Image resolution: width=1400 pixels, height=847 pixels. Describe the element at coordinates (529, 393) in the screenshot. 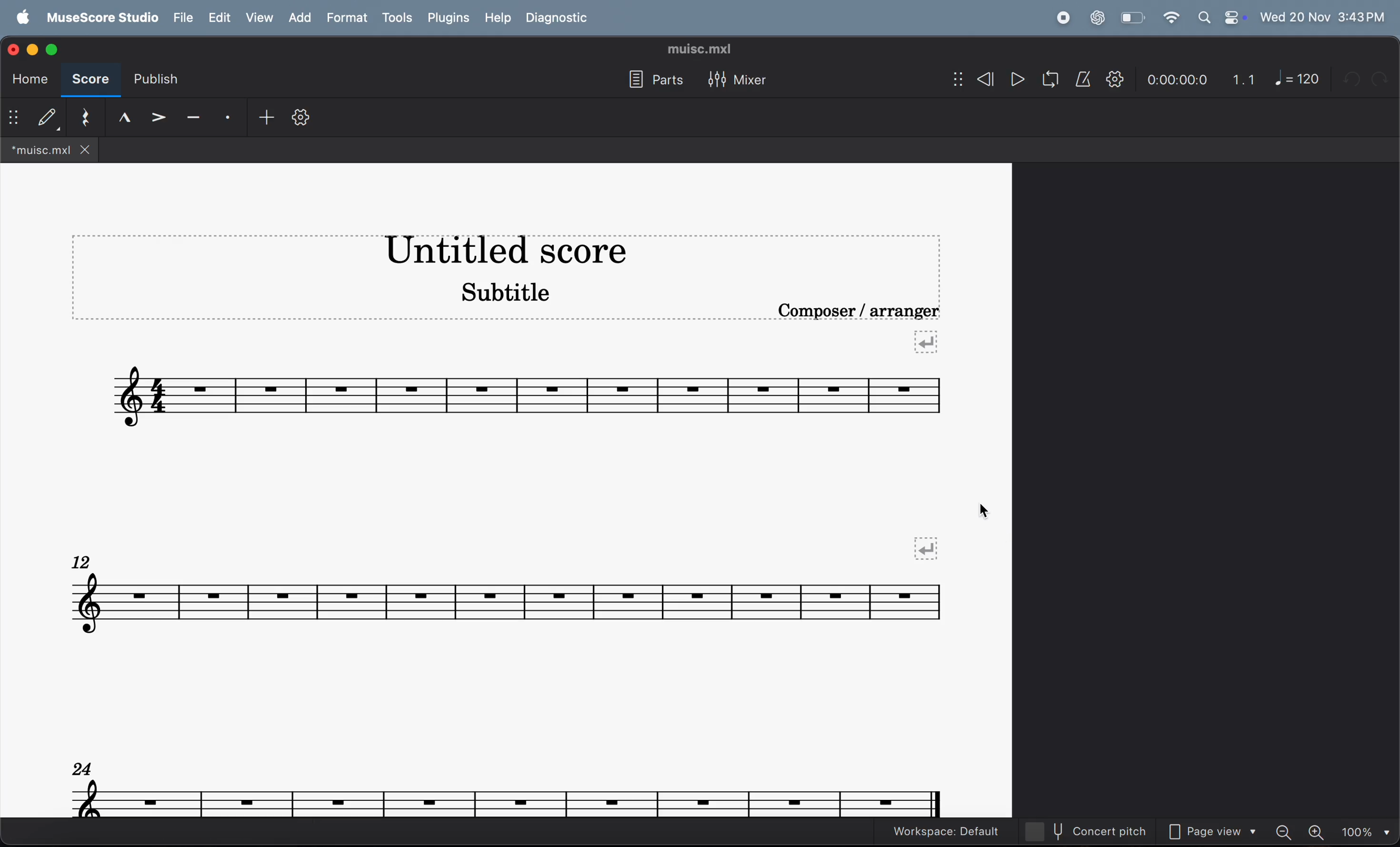

I see `notes` at that location.